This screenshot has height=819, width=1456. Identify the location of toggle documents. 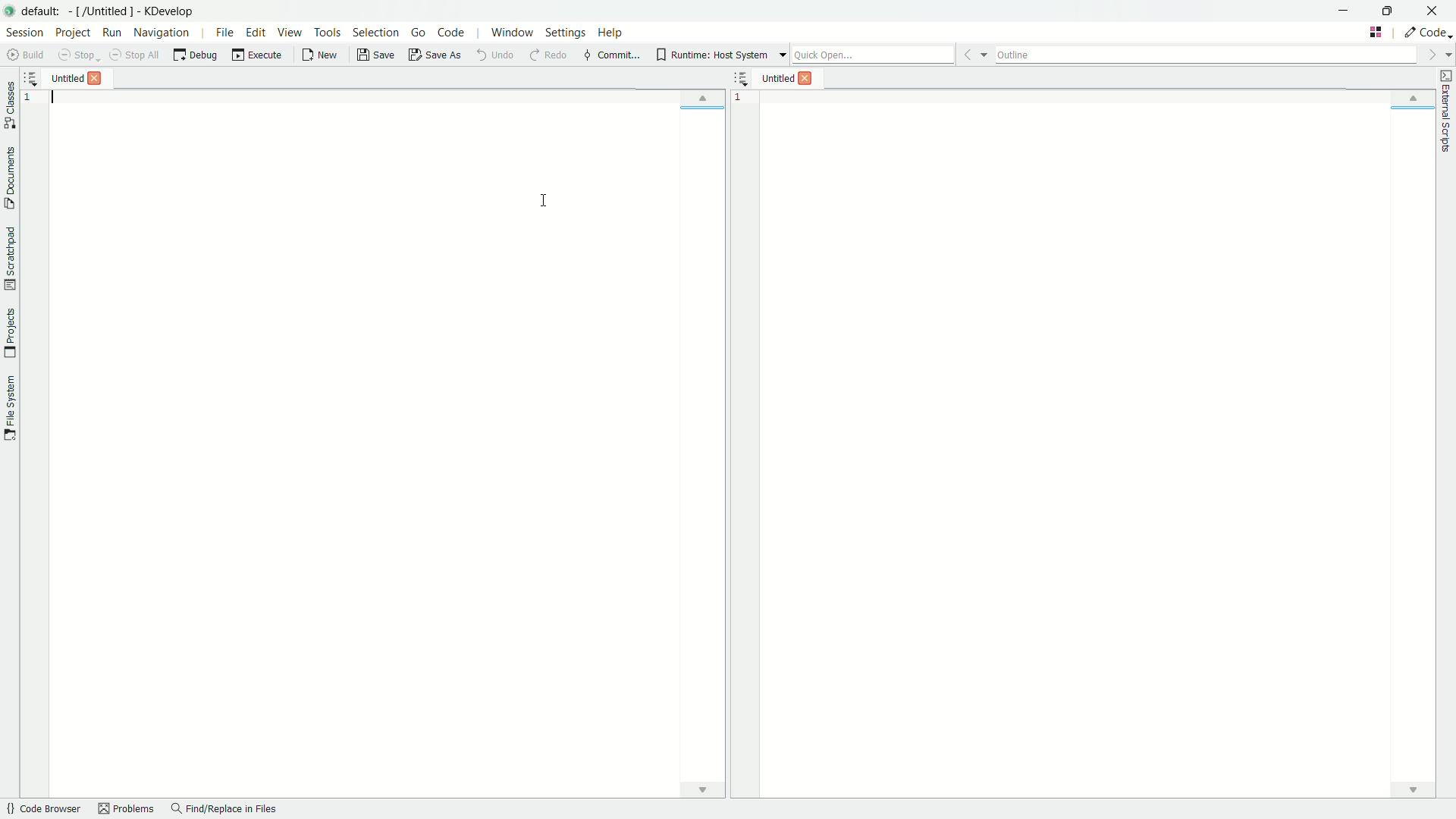
(14, 175).